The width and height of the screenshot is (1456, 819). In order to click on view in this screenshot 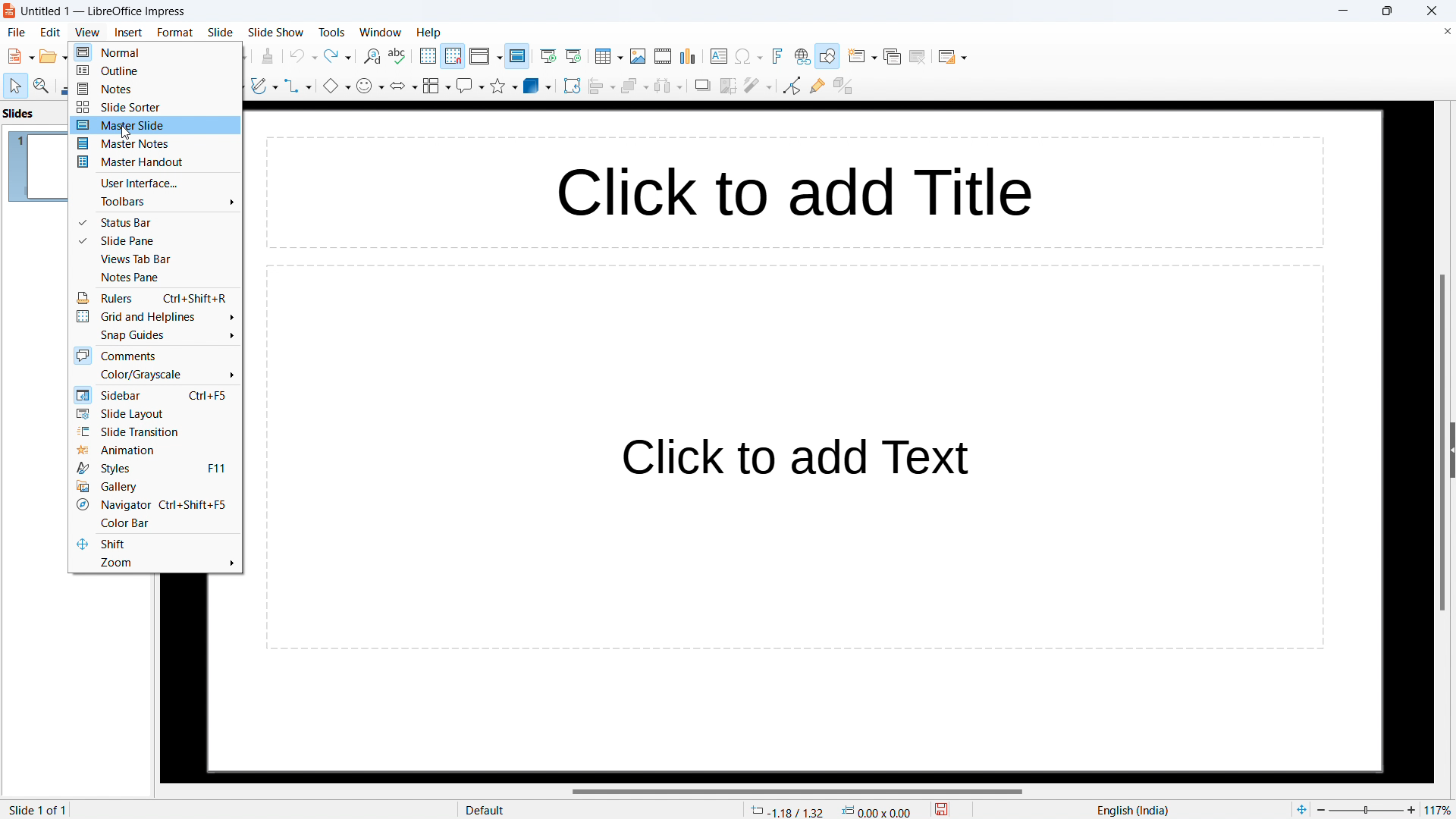, I will do `click(87, 33)`.